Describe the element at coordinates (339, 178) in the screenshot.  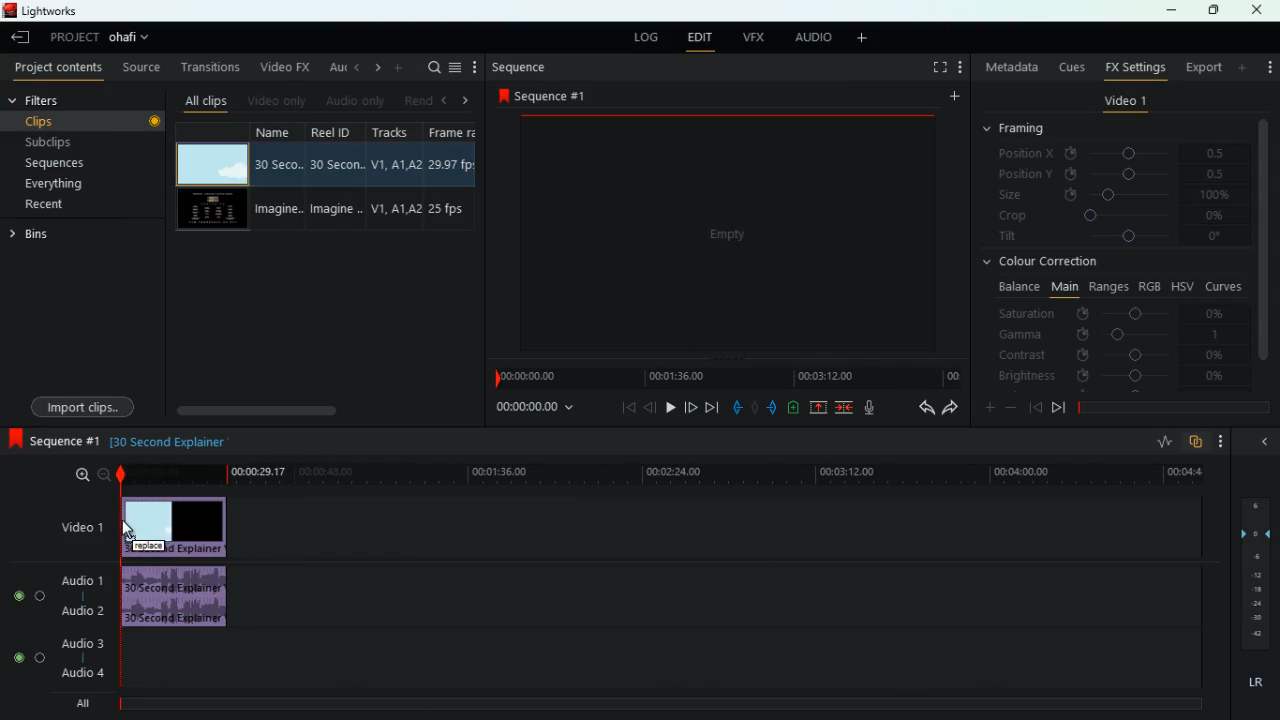
I see `reel id` at that location.